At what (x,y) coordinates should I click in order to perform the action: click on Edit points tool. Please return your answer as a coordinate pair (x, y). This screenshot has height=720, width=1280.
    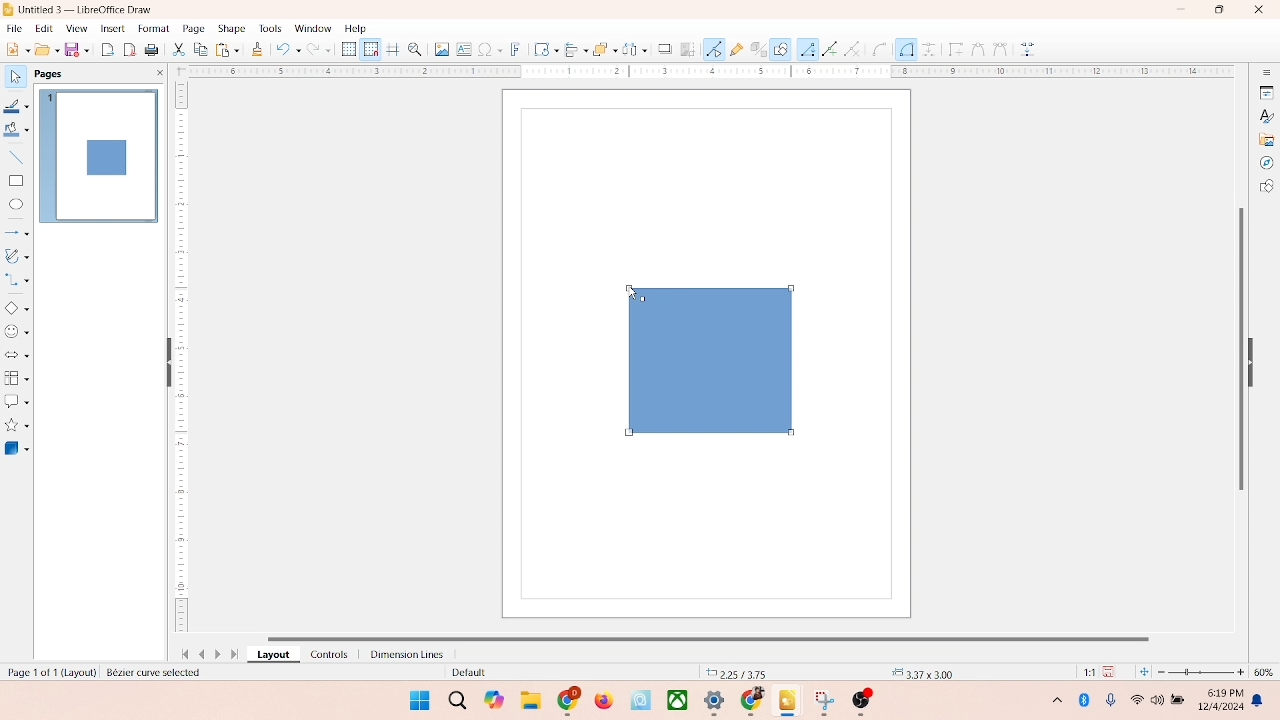
    Looking at the image, I should click on (953, 48).